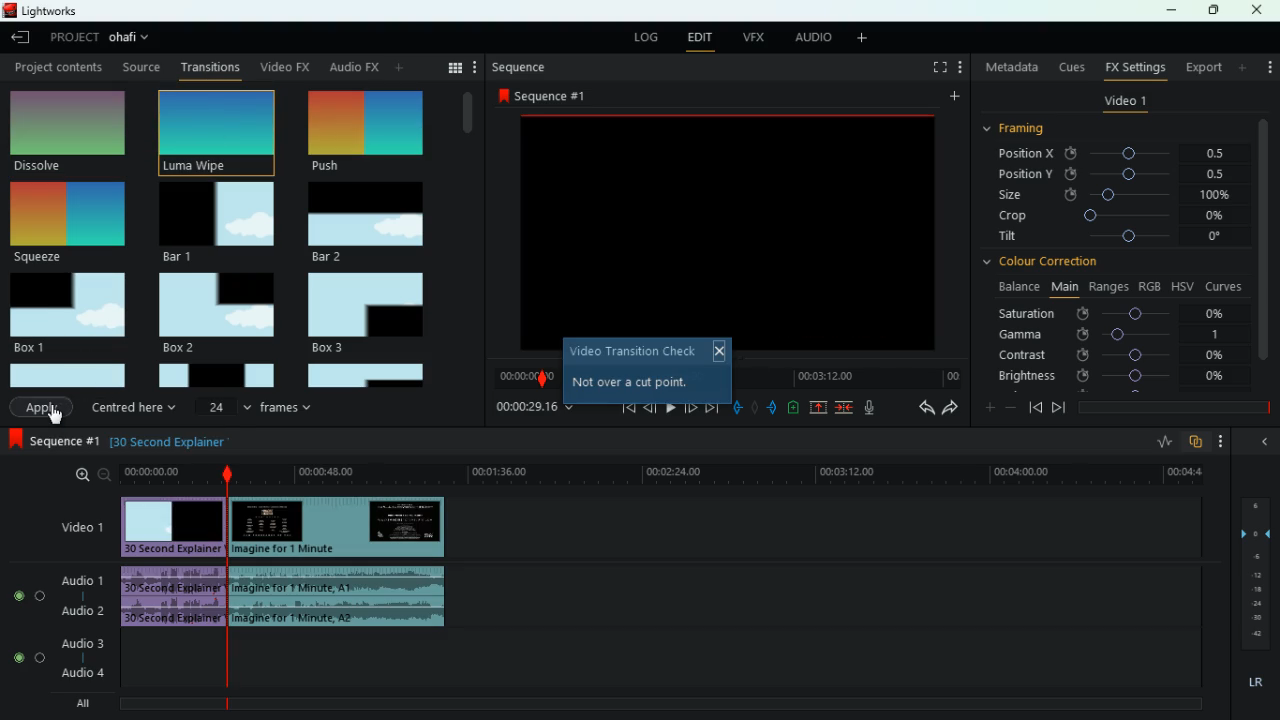 The width and height of the screenshot is (1280, 720). Describe the element at coordinates (374, 68) in the screenshot. I see `change` at that location.